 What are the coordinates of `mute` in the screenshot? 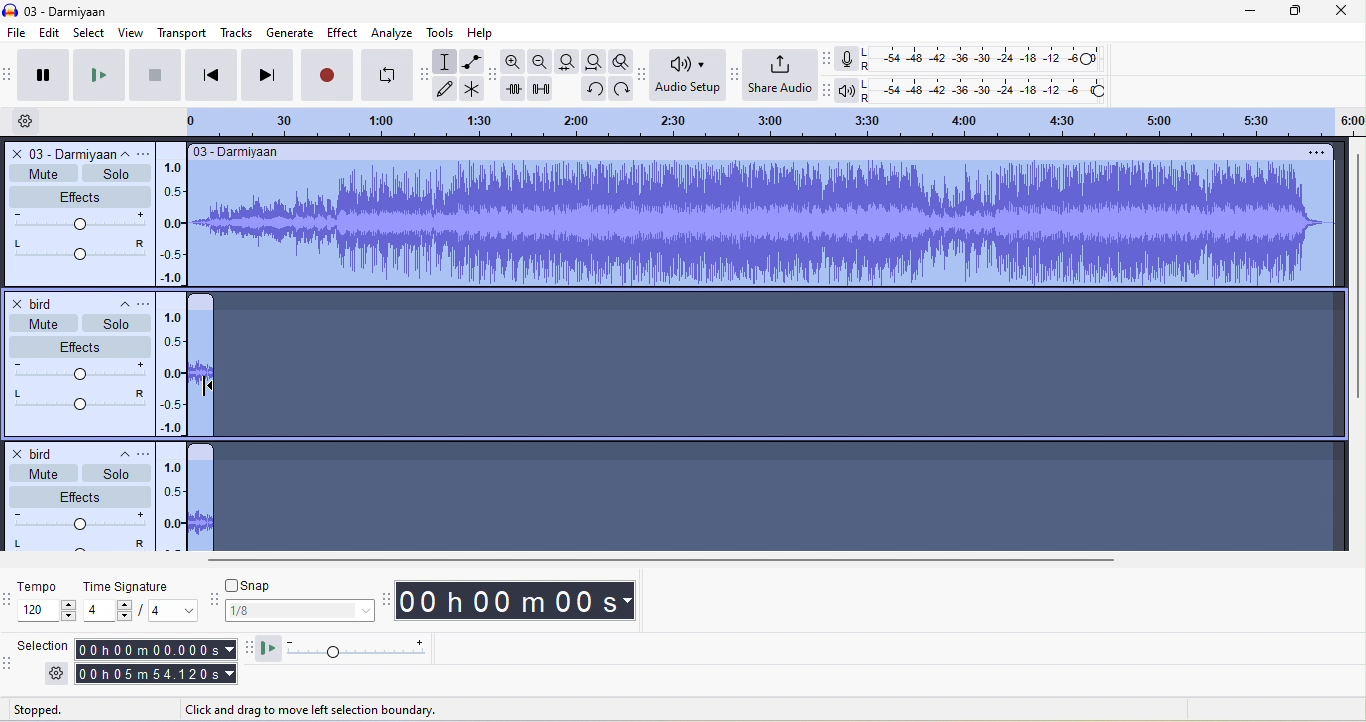 It's located at (41, 472).